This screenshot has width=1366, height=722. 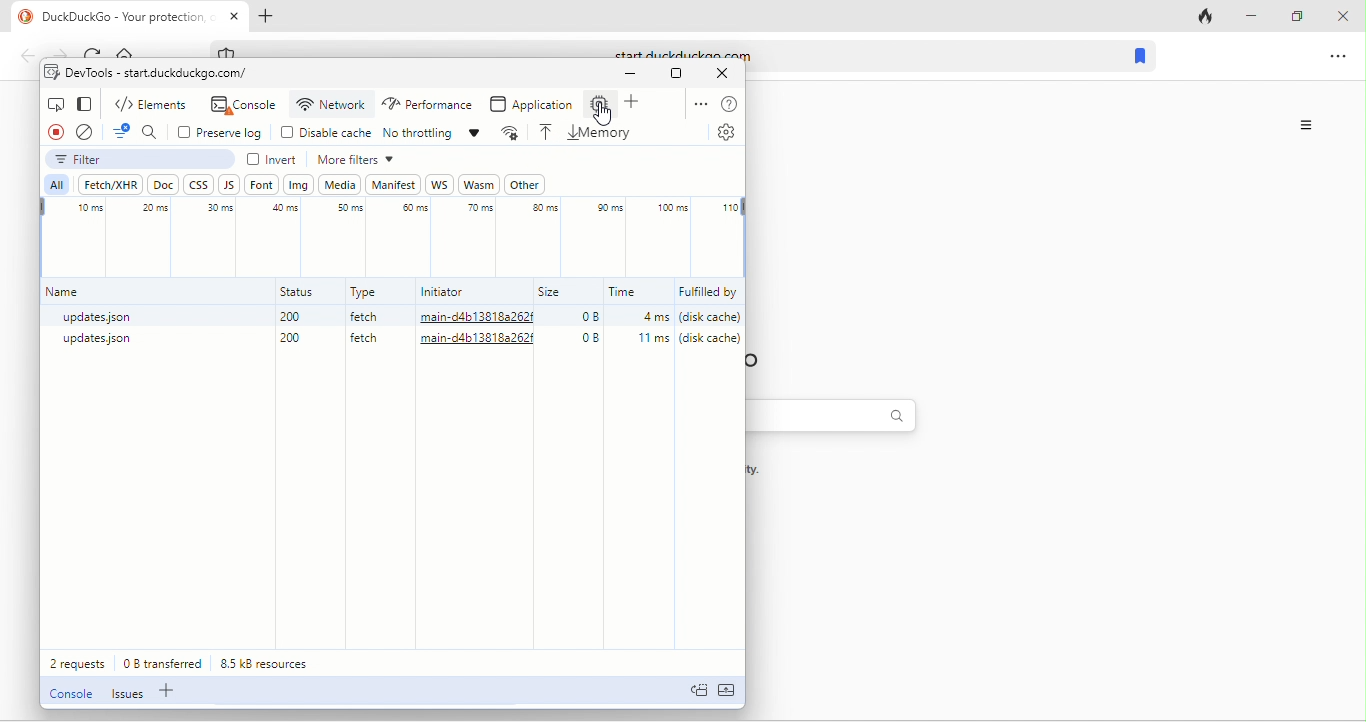 I want to click on 90 ms, so click(x=609, y=211).